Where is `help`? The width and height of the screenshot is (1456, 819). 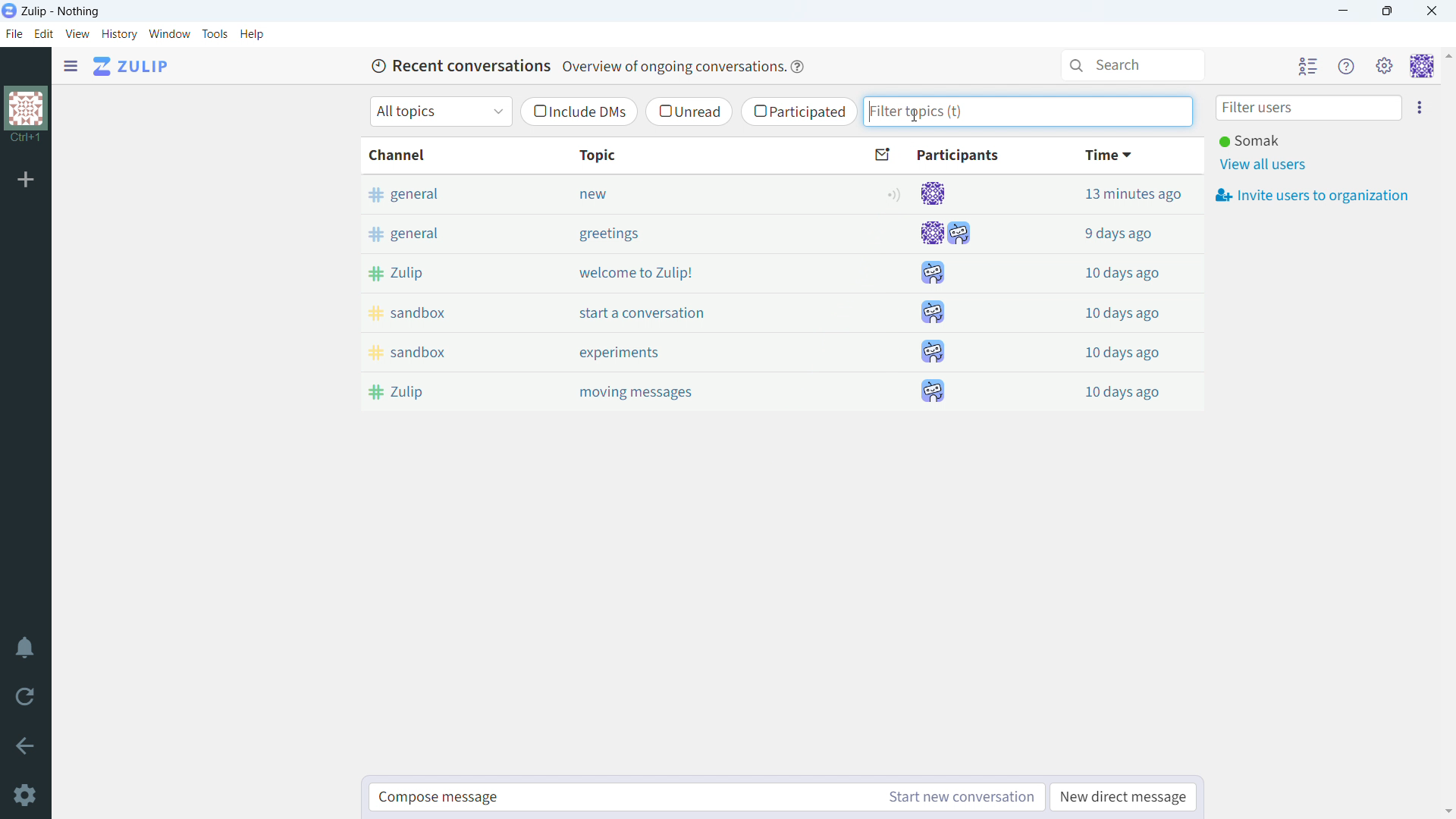
help is located at coordinates (253, 35).